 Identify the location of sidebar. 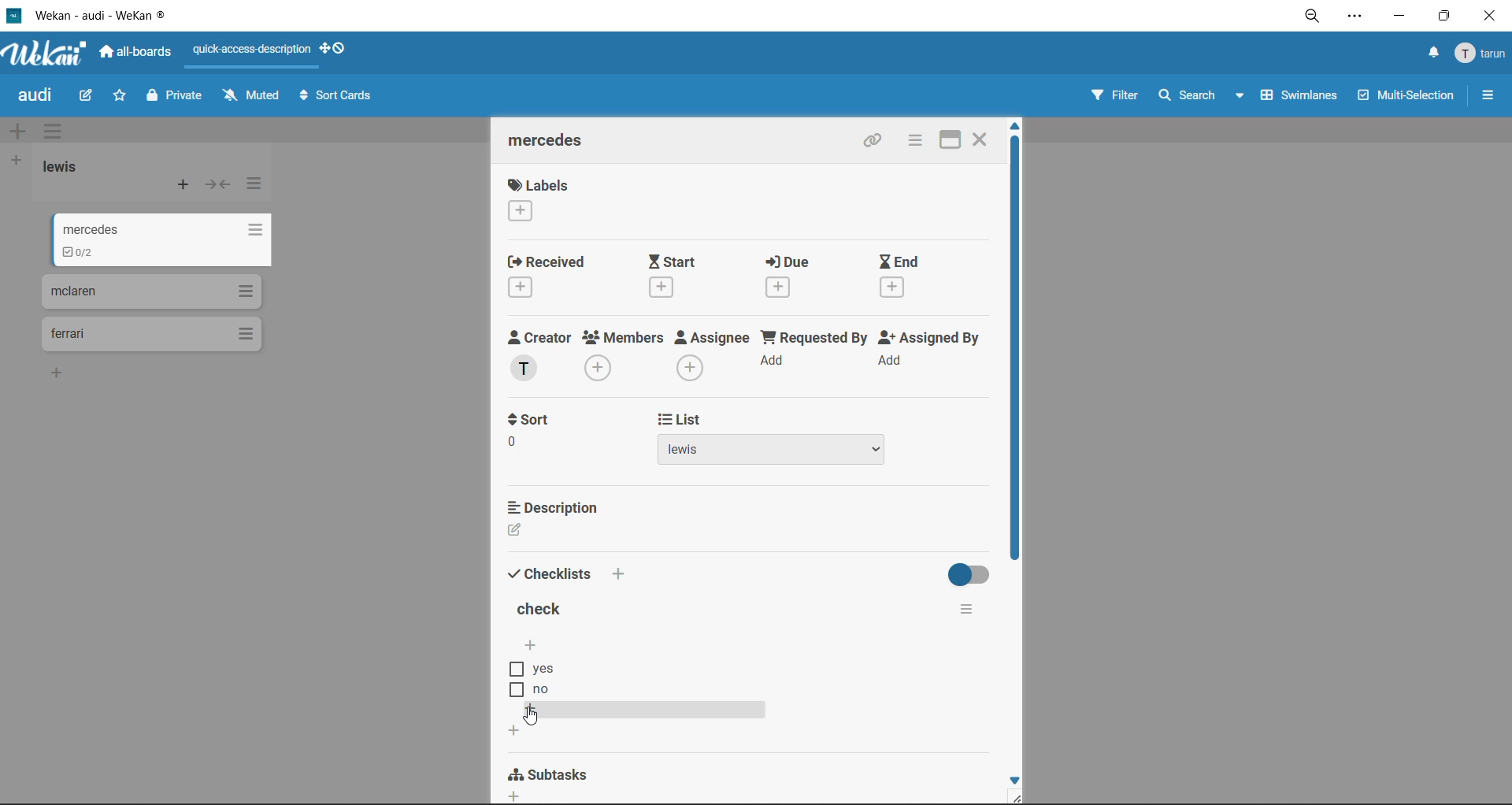
(1488, 96).